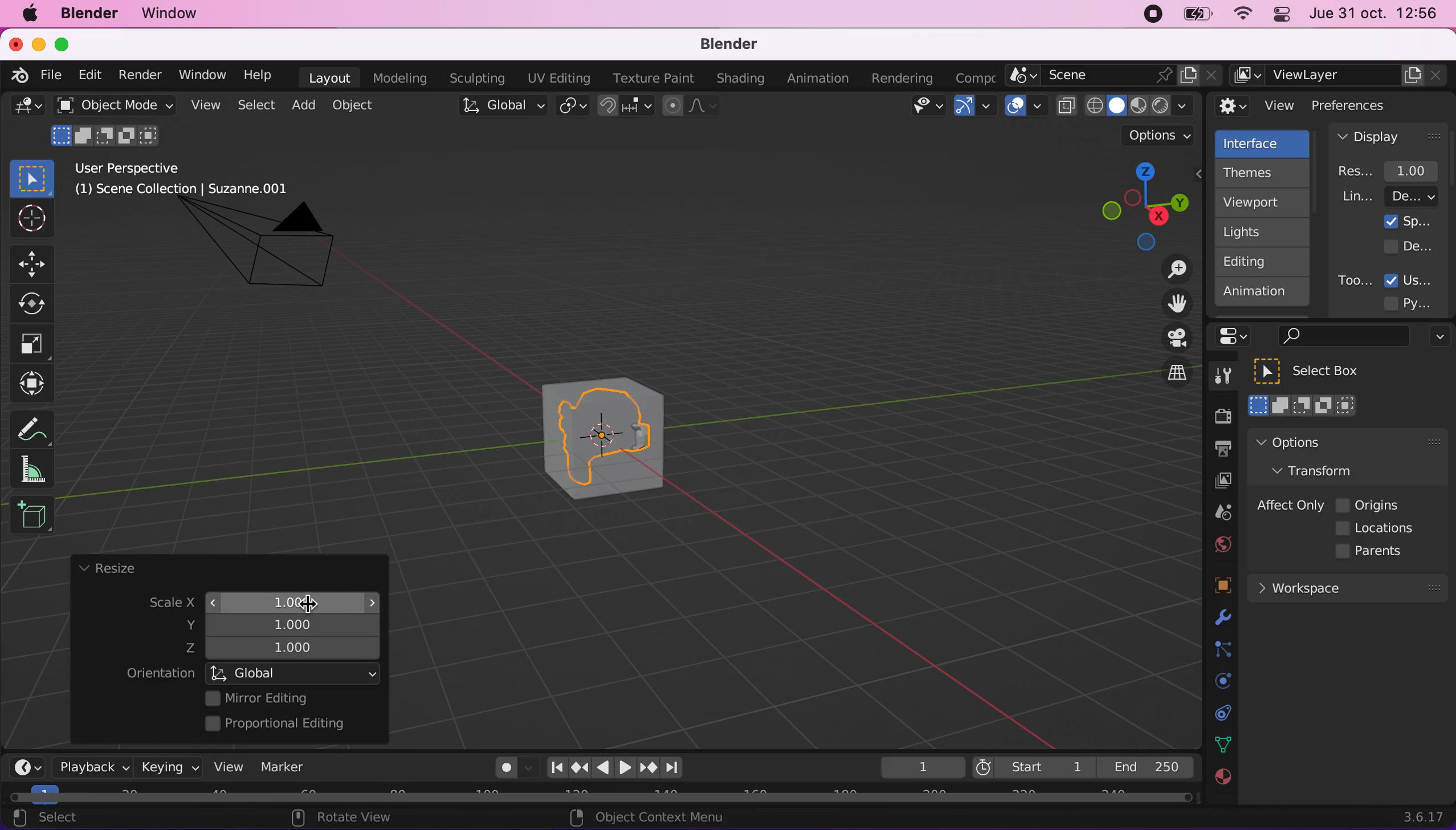 The image size is (1456, 830). Describe the element at coordinates (1220, 713) in the screenshot. I see `collection` at that location.